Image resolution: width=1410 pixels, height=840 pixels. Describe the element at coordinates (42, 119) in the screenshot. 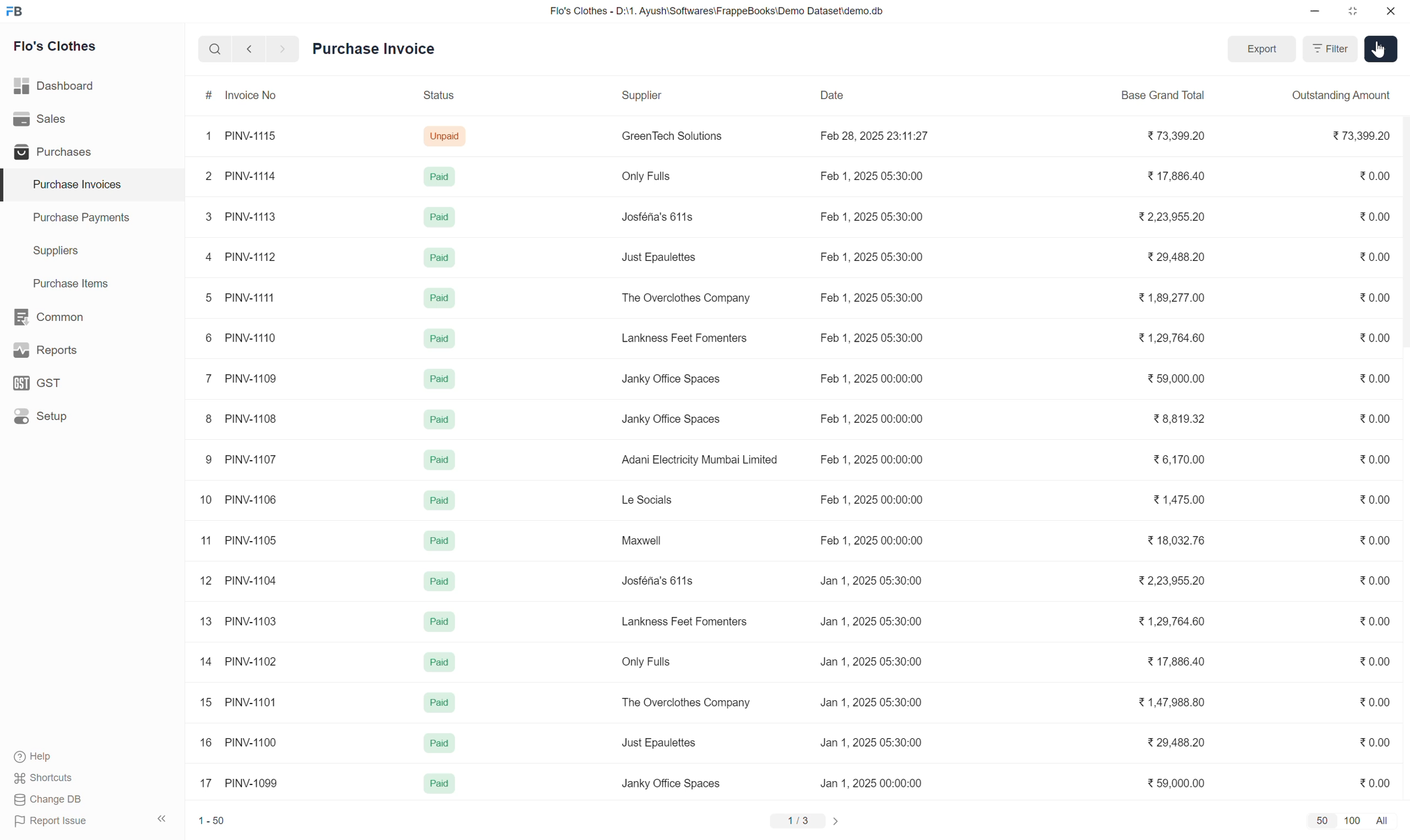

I see `Sales` at that location.